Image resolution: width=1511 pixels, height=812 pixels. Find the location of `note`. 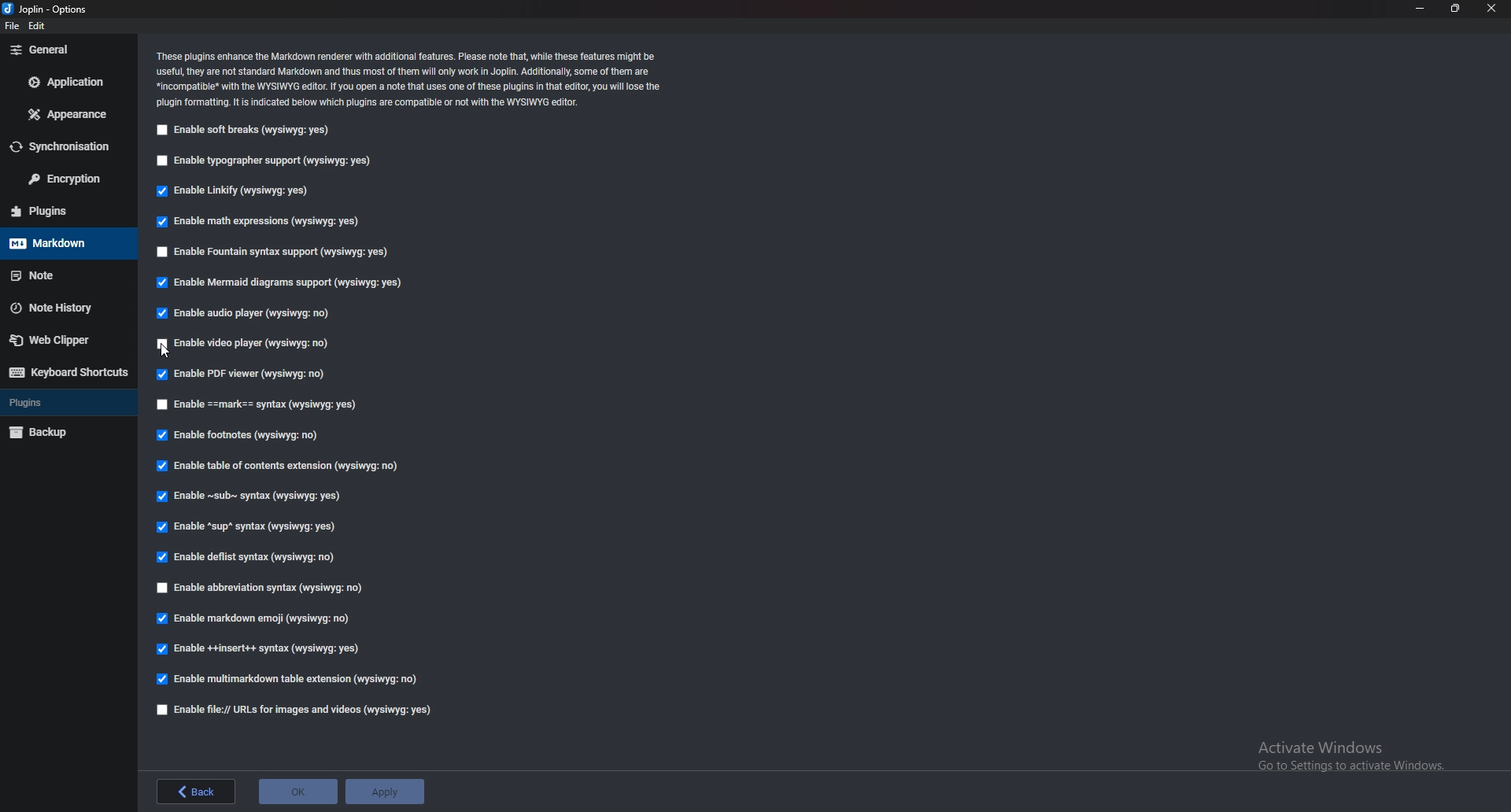

note is located at coordinates (59, 275).